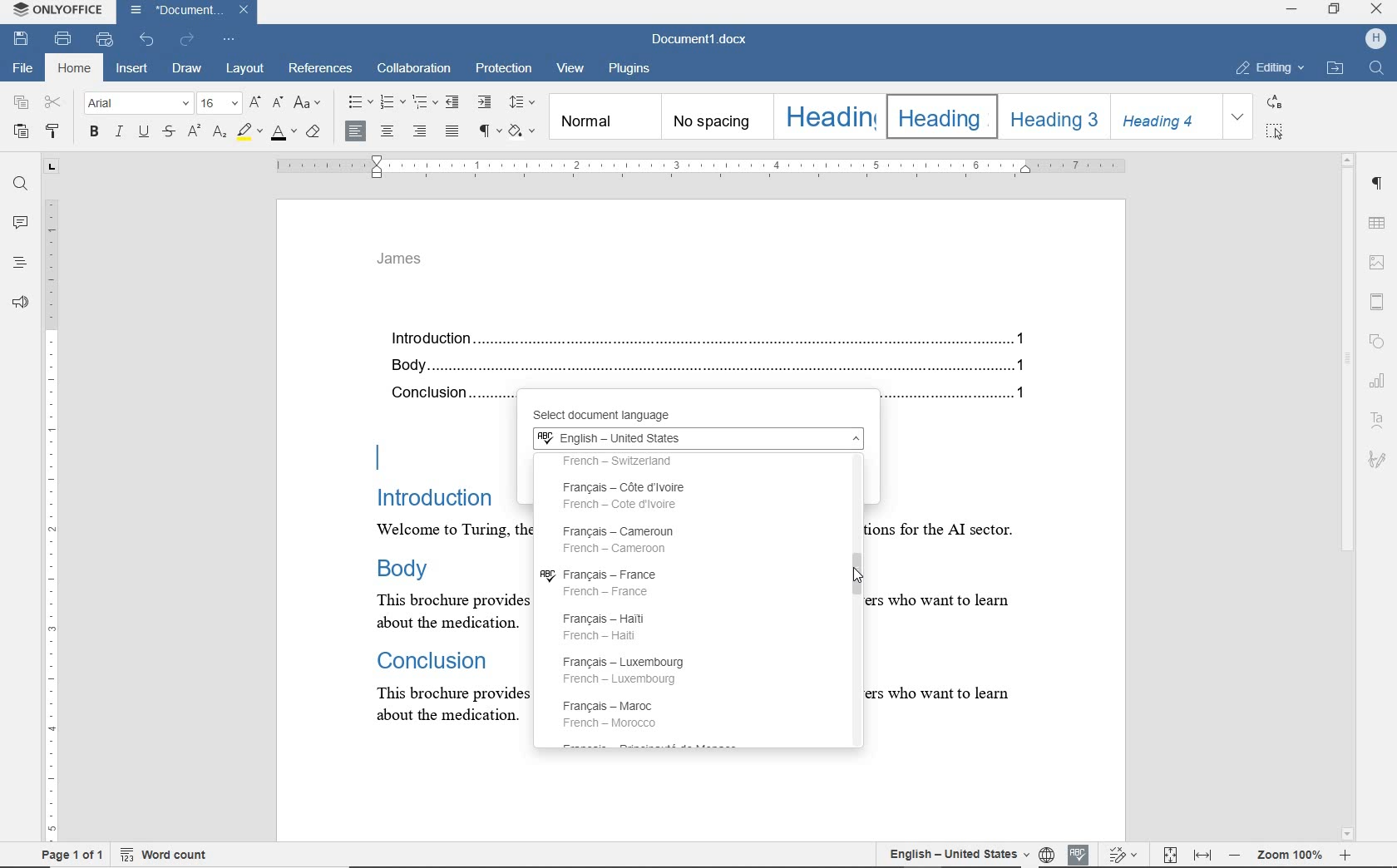 The height and width of the screenshot is (868, 1397). I want to click on paragraph line spacing, so click(522, 102).